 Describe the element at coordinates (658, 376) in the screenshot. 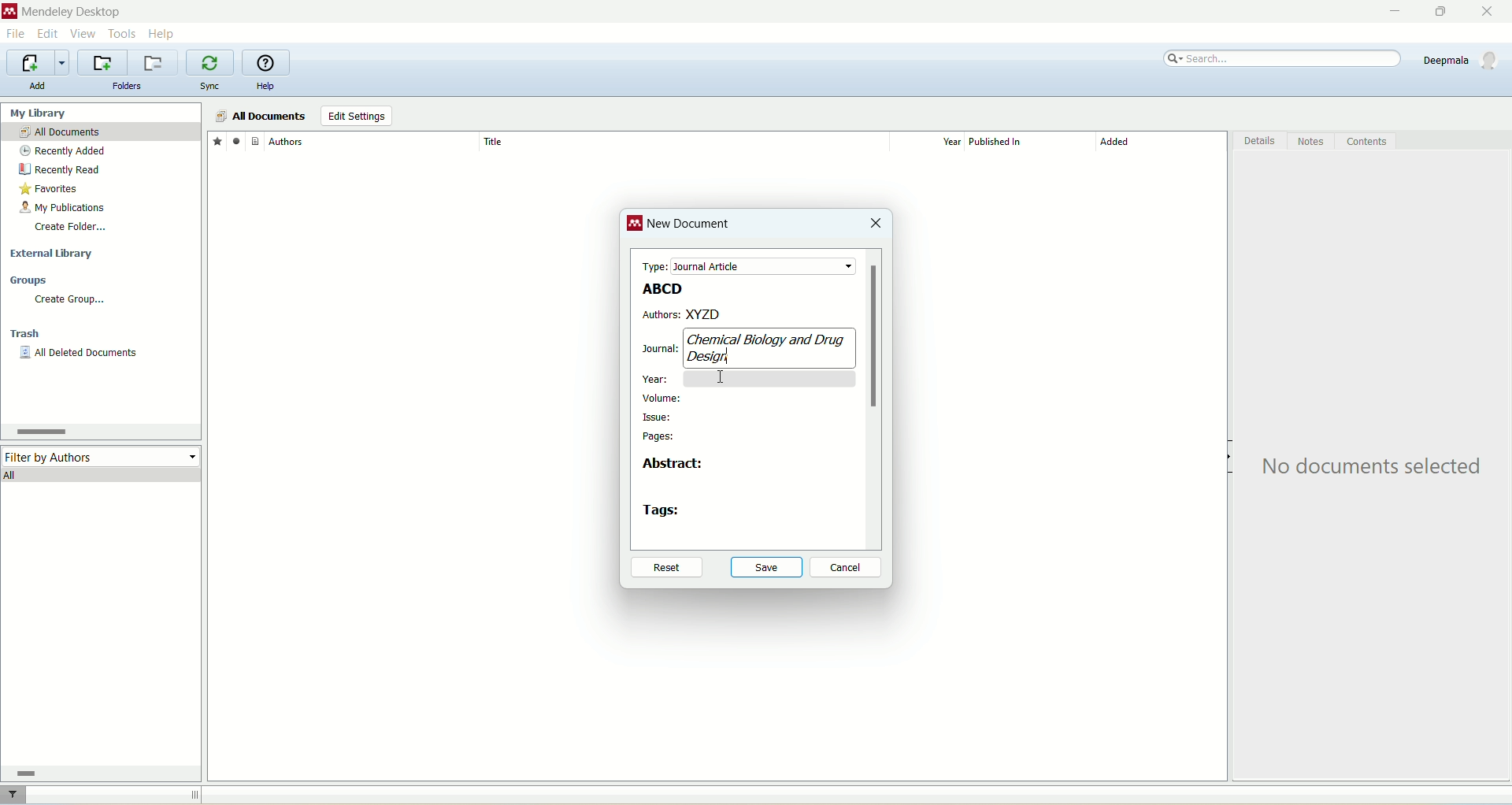

I see `year` at that location.